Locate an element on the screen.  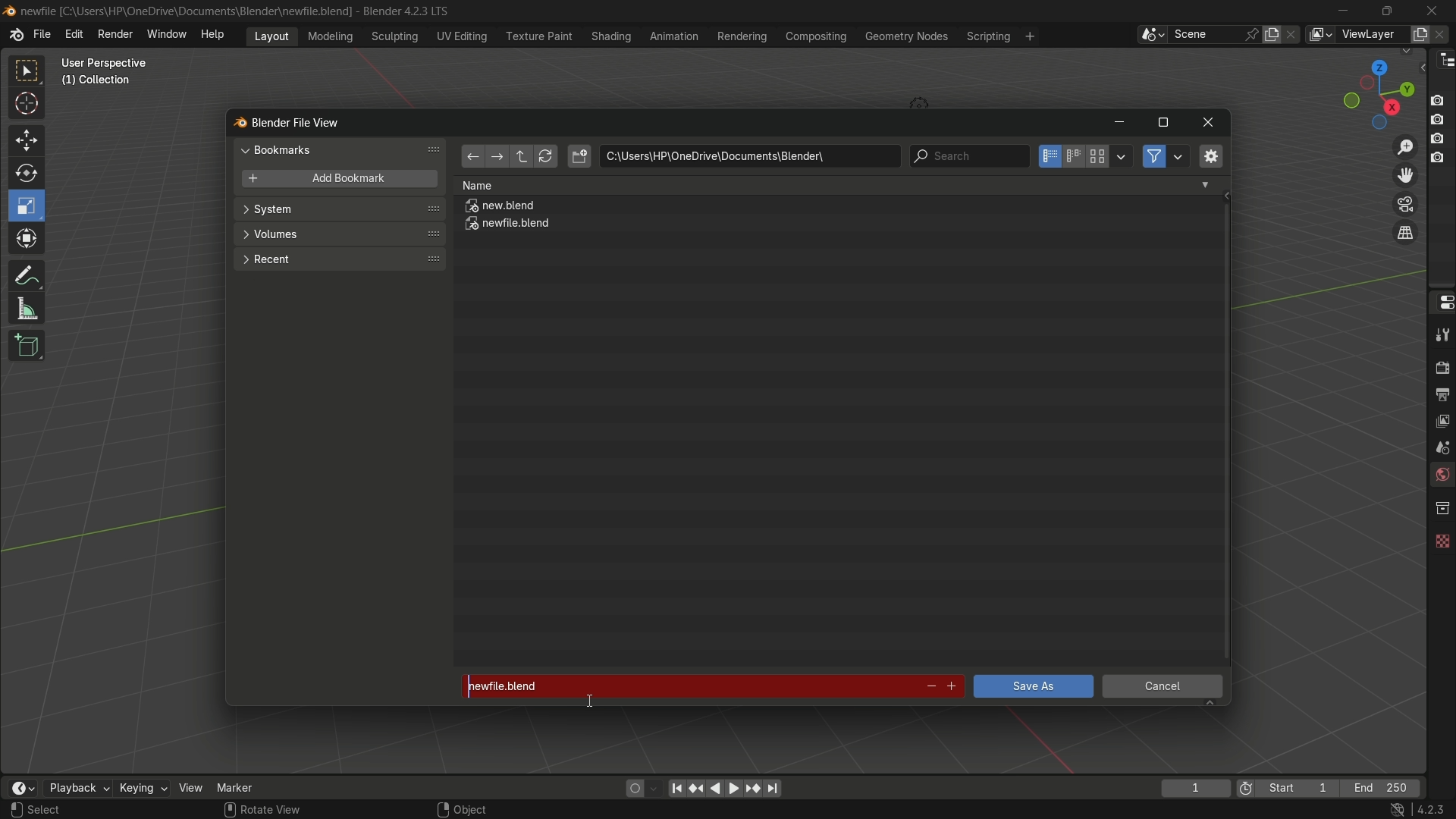
jump to endpoint is located at coordinates (676, 787).